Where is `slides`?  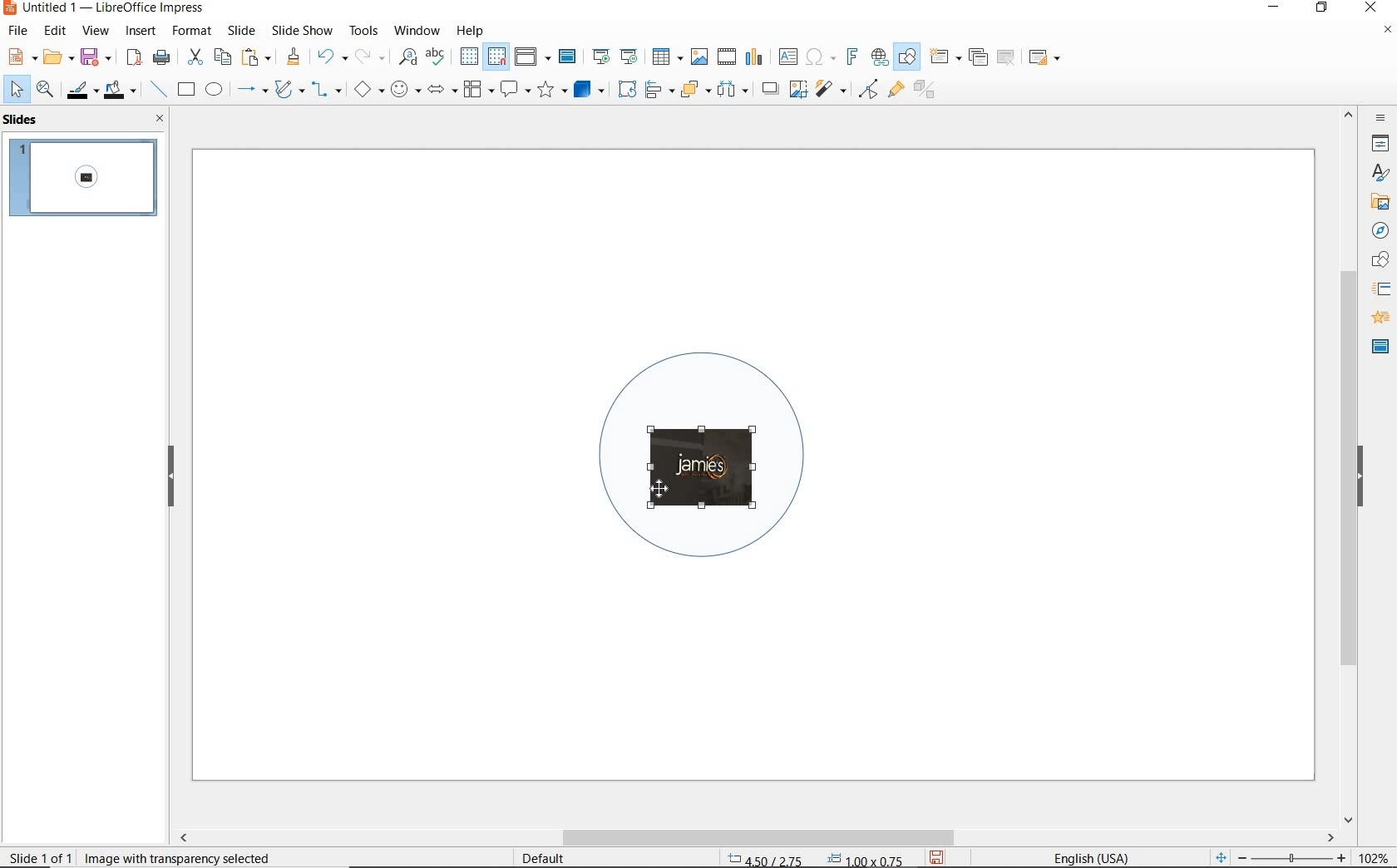
slides is located at coordinates (24, 120).